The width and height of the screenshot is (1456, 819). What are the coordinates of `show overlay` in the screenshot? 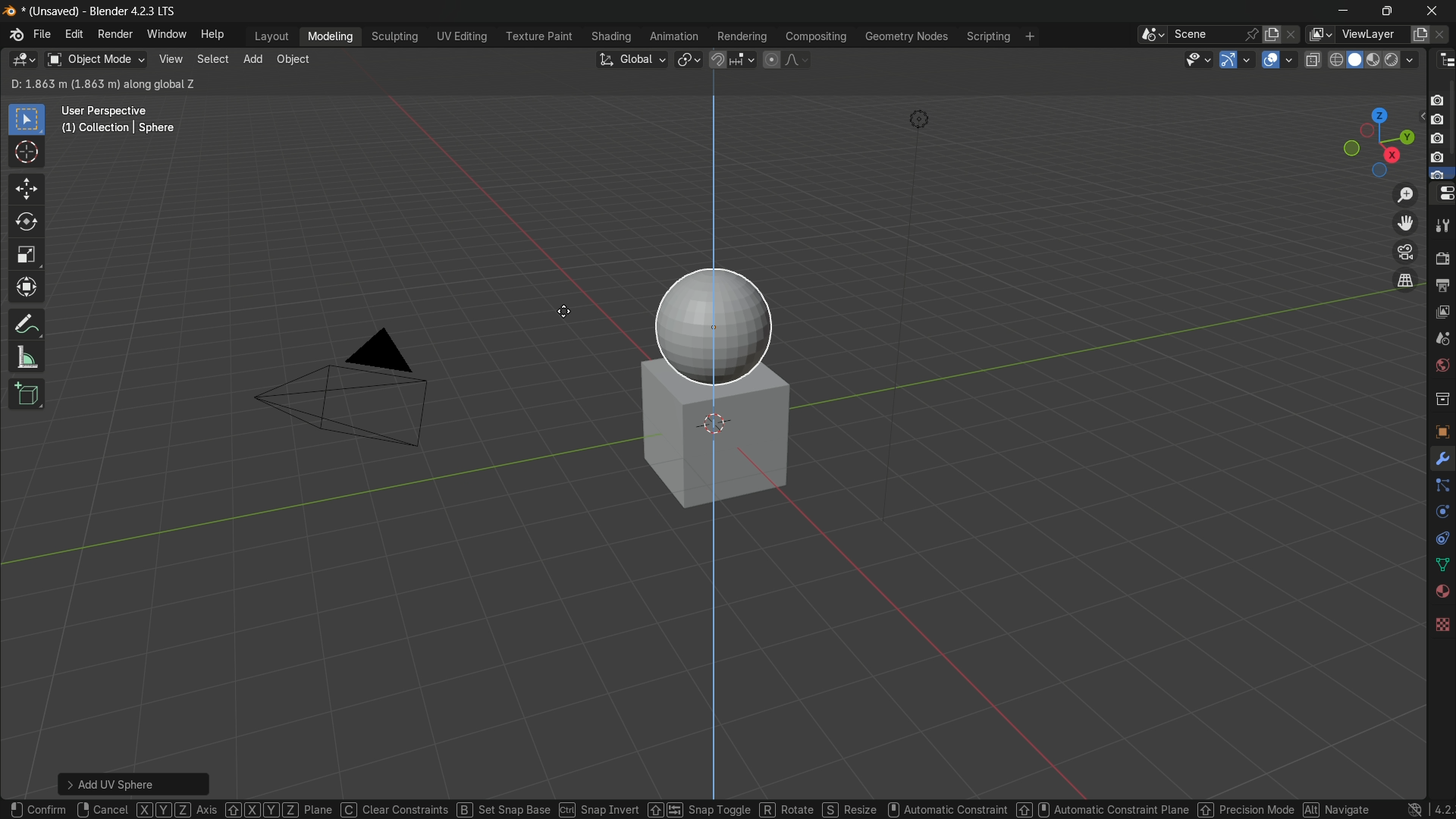 It's located at (1271, 61).